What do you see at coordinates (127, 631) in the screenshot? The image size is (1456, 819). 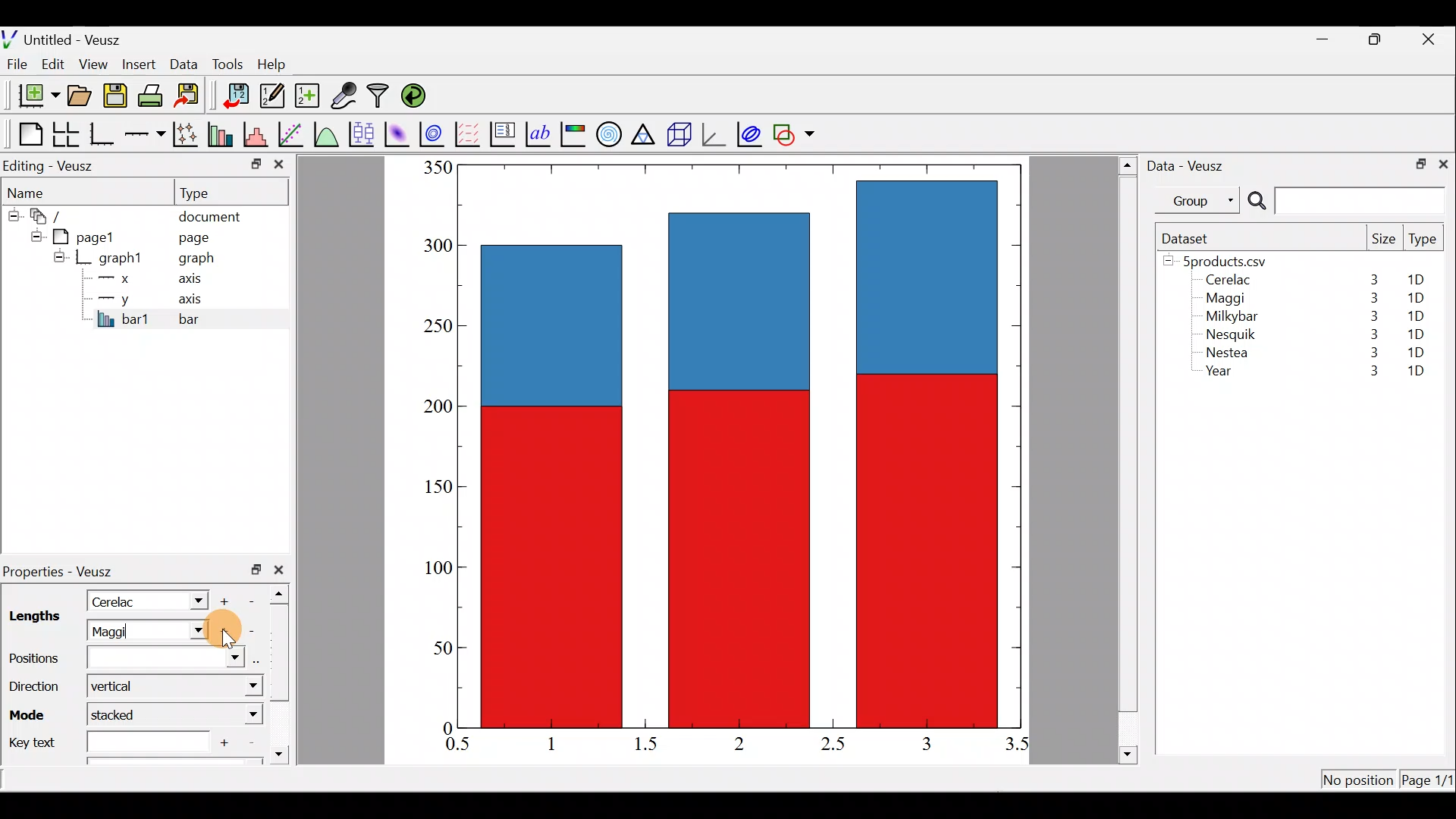 I see `Maggi` at bounding box center [127, 631].